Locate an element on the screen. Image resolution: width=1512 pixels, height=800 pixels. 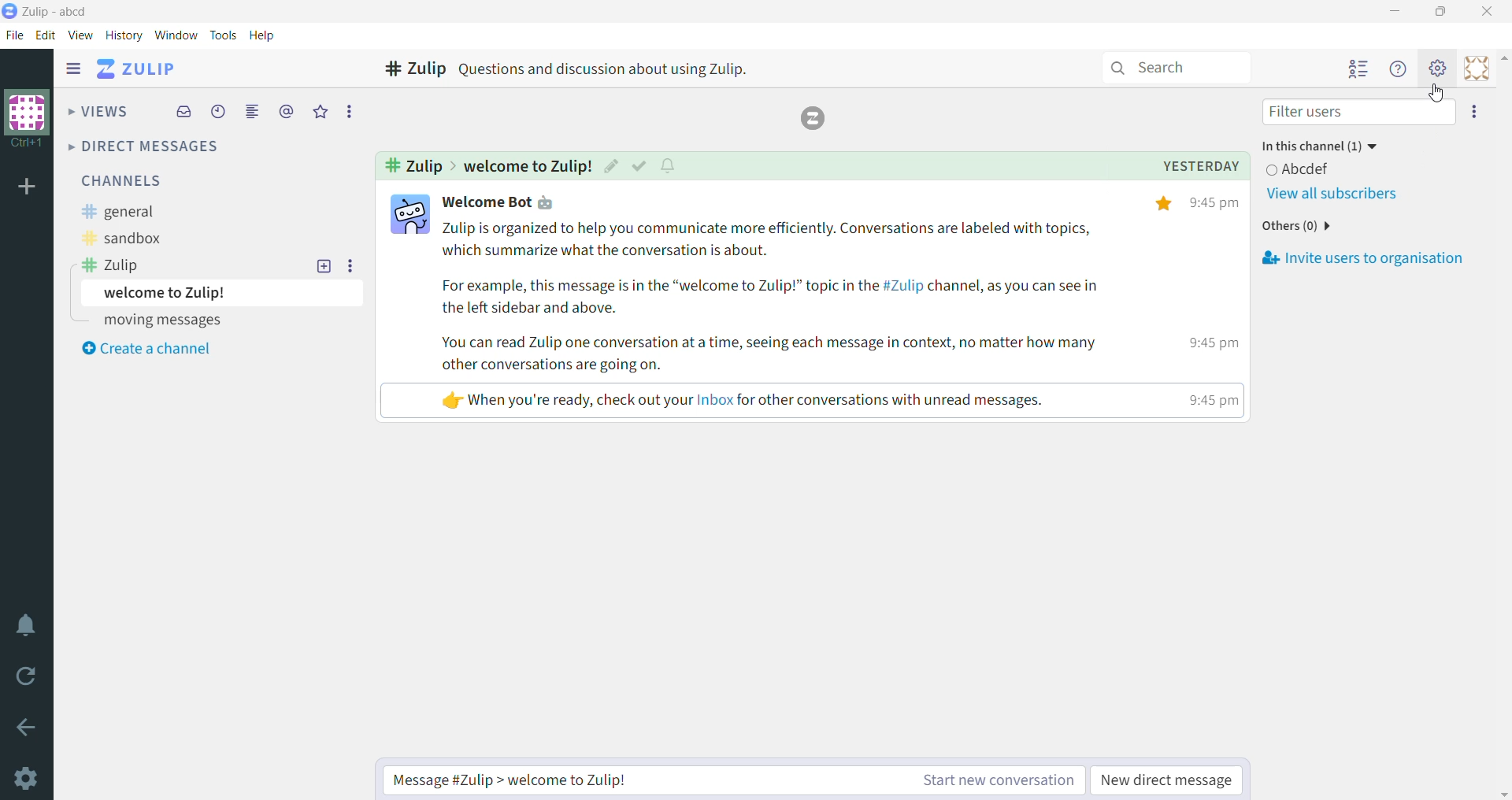
View all Subscribers is located at coordinates (1332, 194).